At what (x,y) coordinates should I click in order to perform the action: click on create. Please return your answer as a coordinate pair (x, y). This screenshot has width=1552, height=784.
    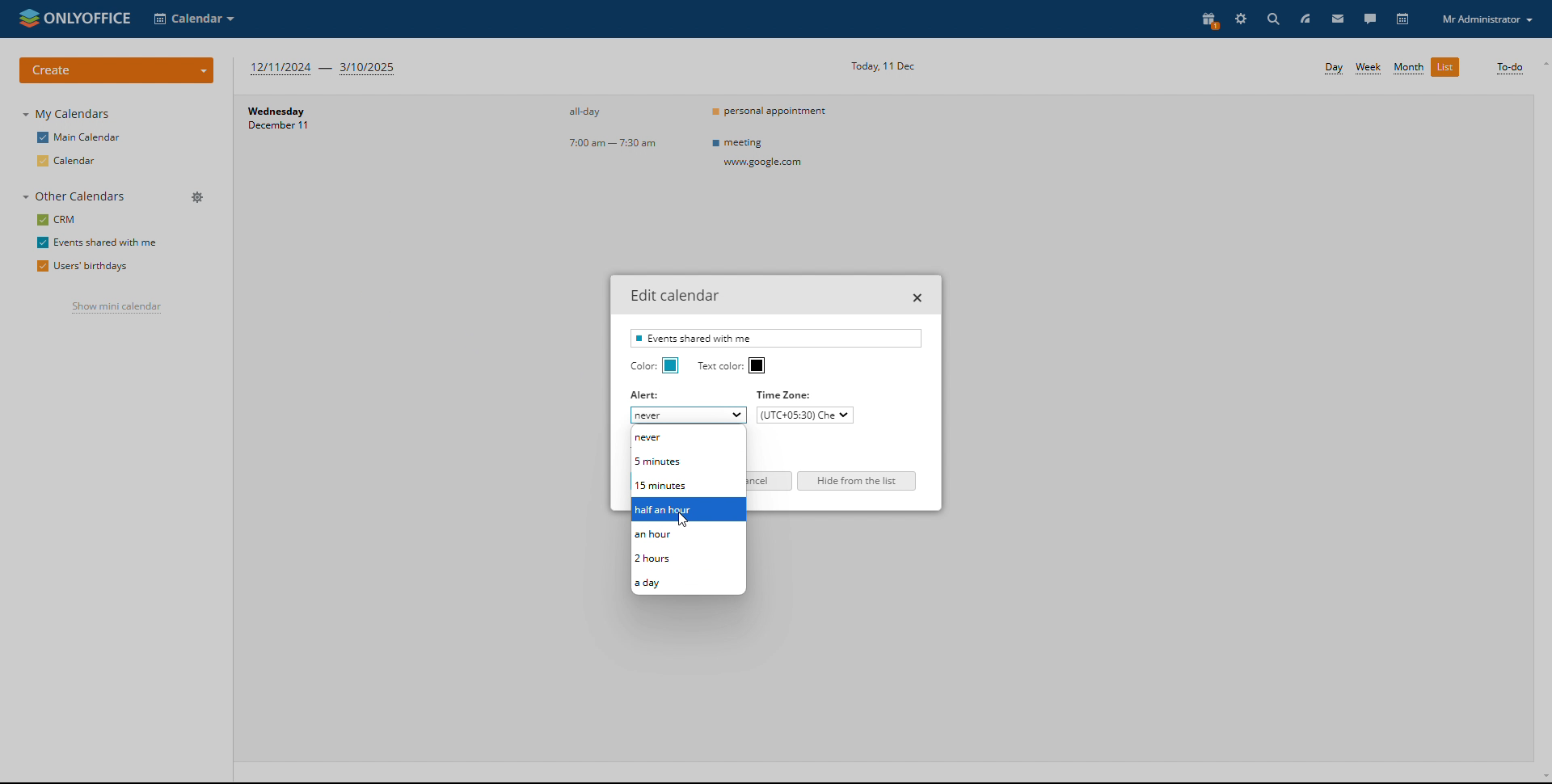
    Looking at the image, I should click on (117, 70).